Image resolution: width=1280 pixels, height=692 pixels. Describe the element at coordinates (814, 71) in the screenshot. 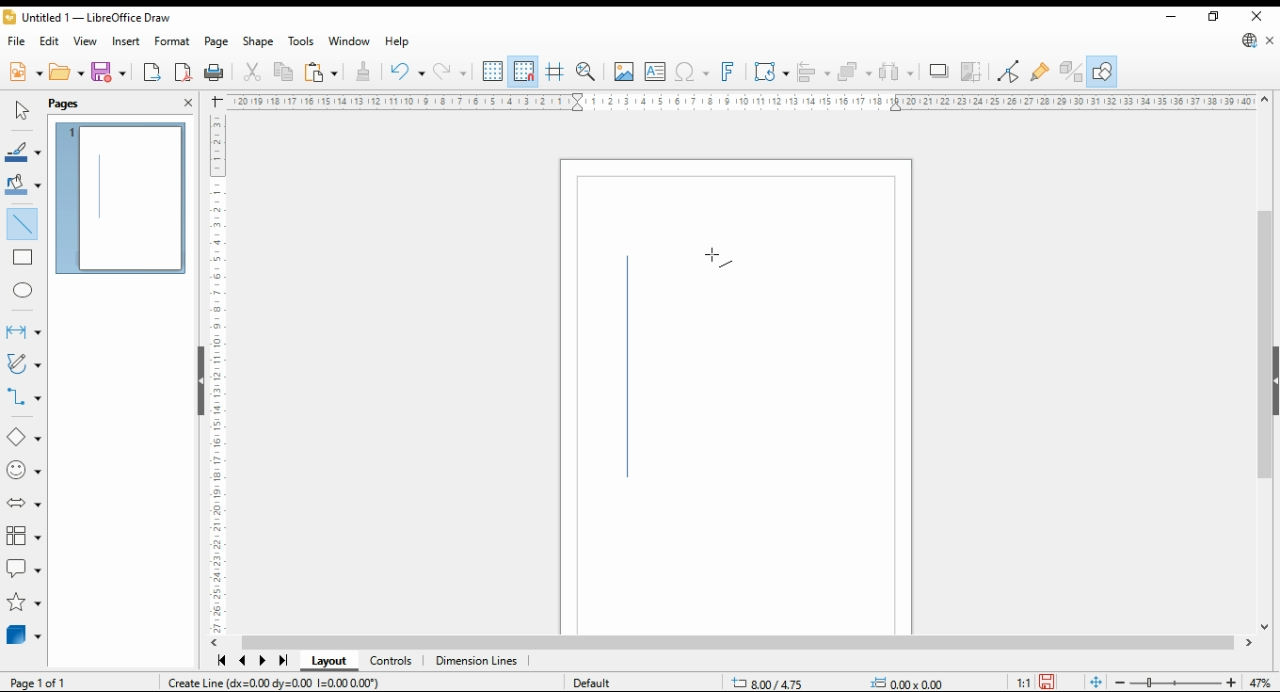

I see `align objects` at that location.